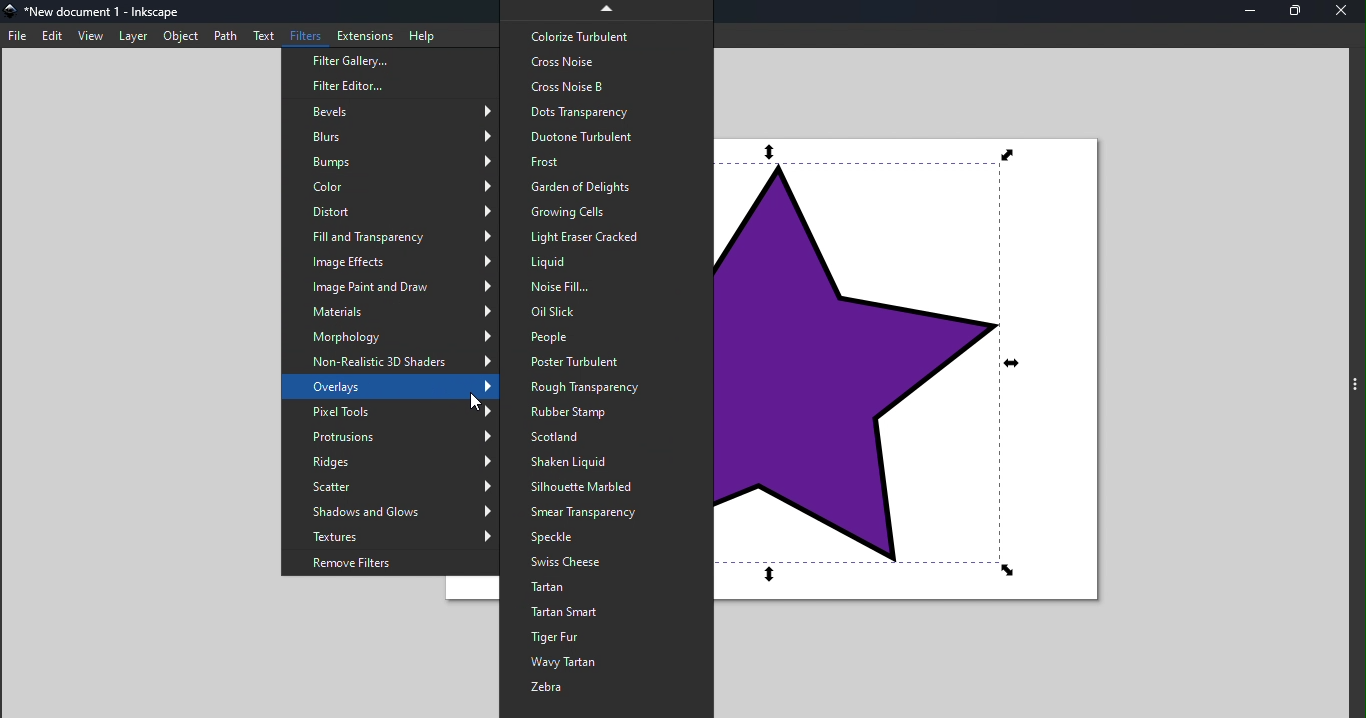  I want to click on Maximize, so click(1300, 14).